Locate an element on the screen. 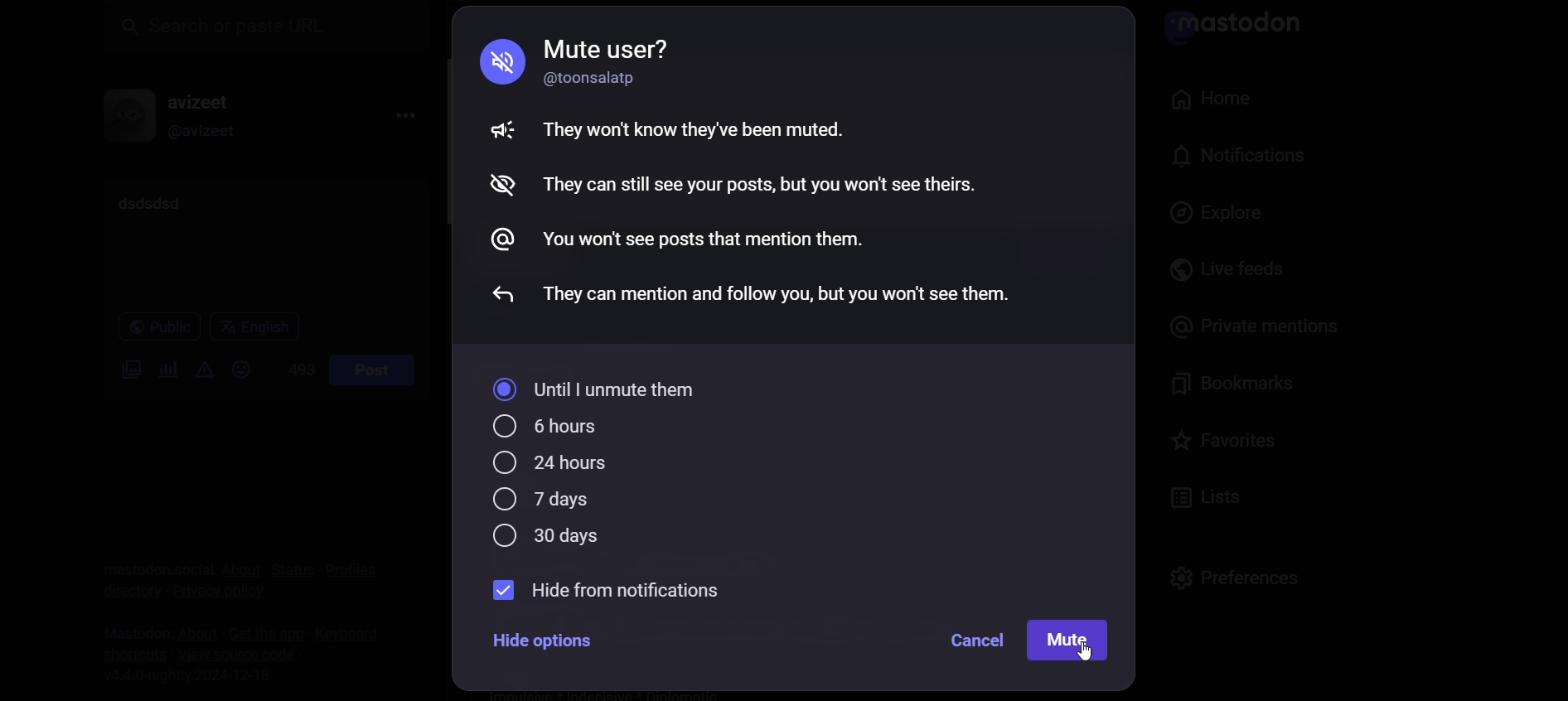  24 hours is located at coordinates (546, 465).